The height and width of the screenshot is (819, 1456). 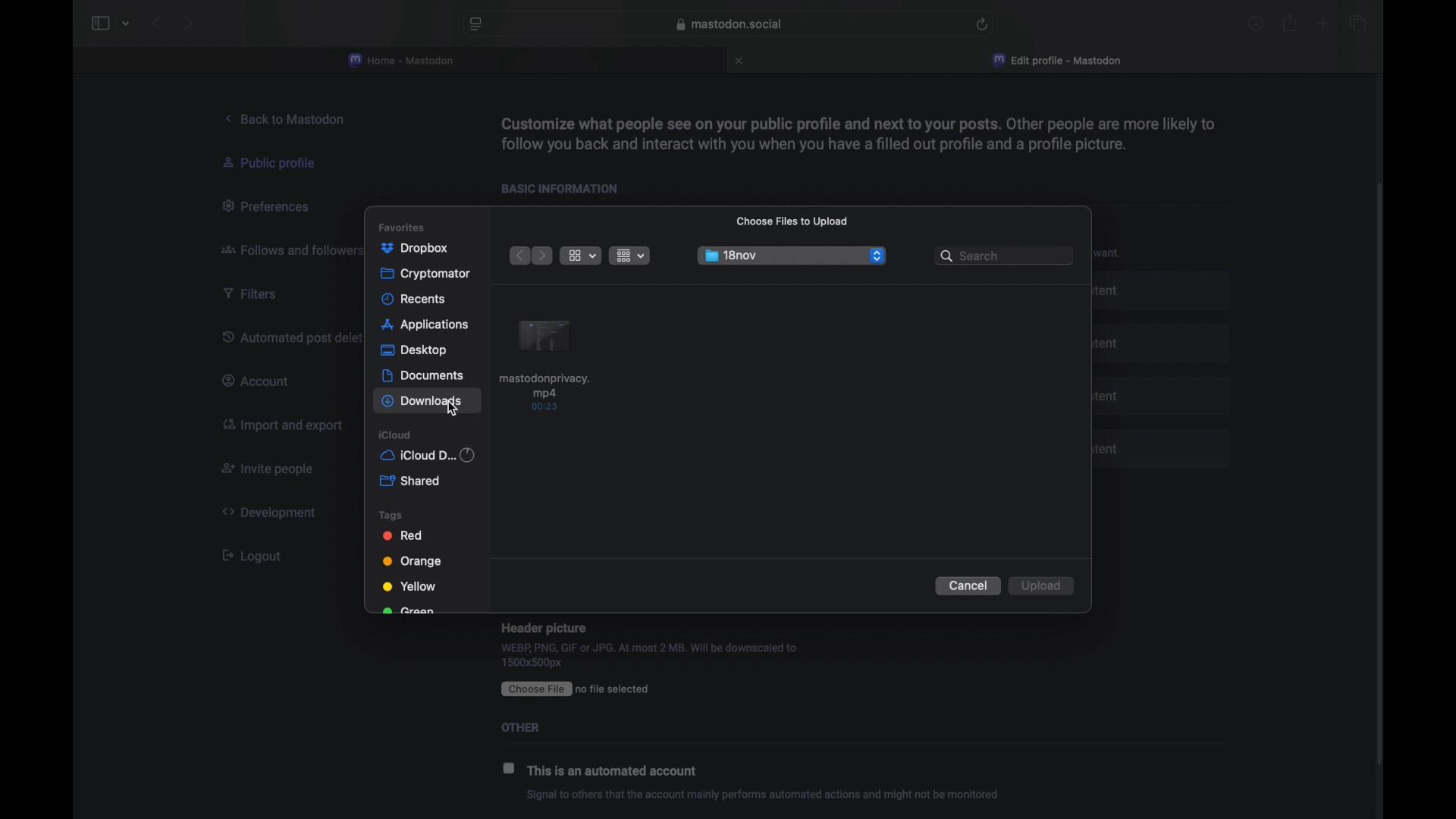 What do you see at coordinates (414, 299) in the screenshot?
I see `recents` at bounding box center [414, 299].